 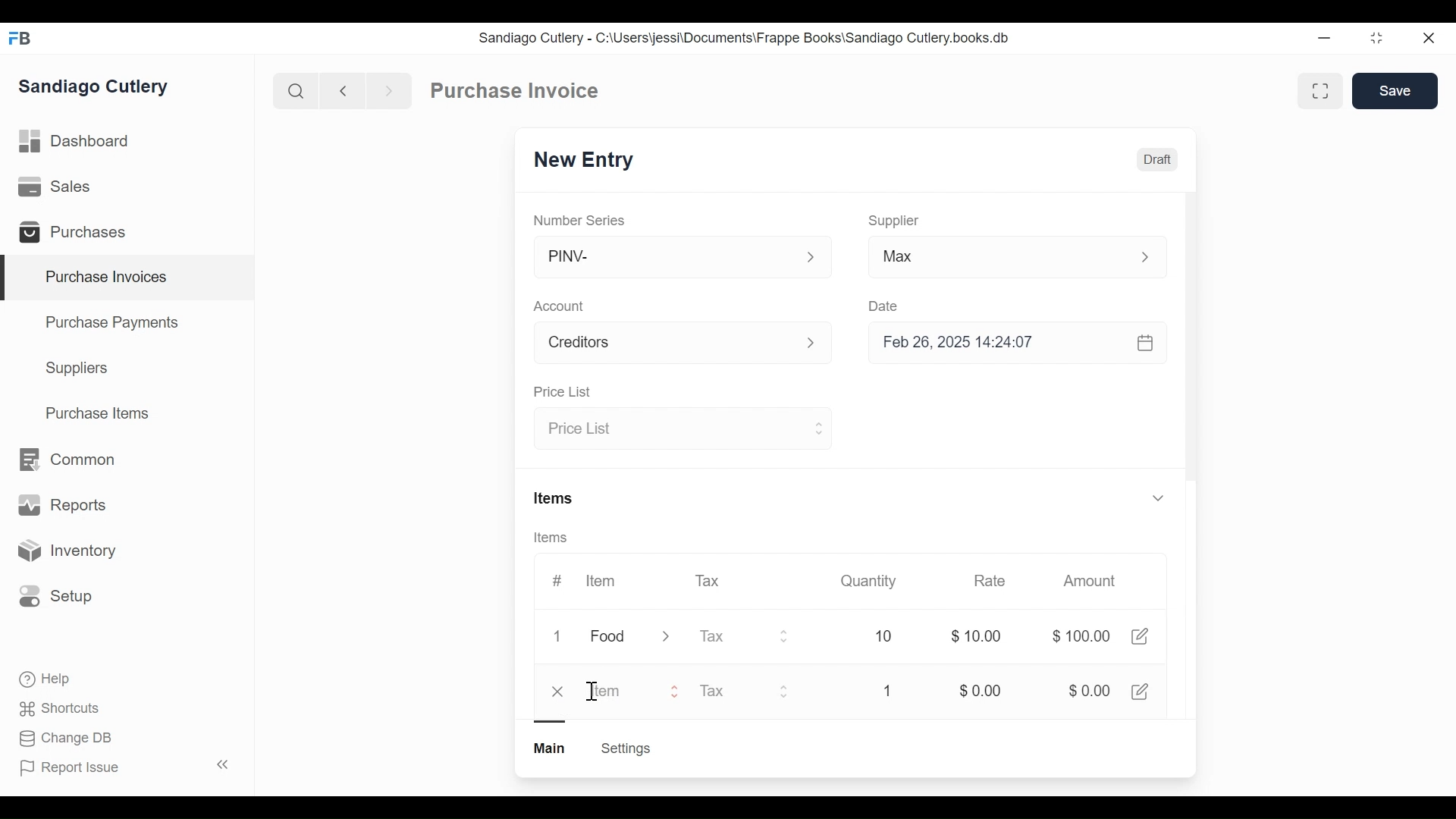 What do you see at coordinates (728, 692) in the screenshot?
I see `Tax` at bounding box center [728, 692].